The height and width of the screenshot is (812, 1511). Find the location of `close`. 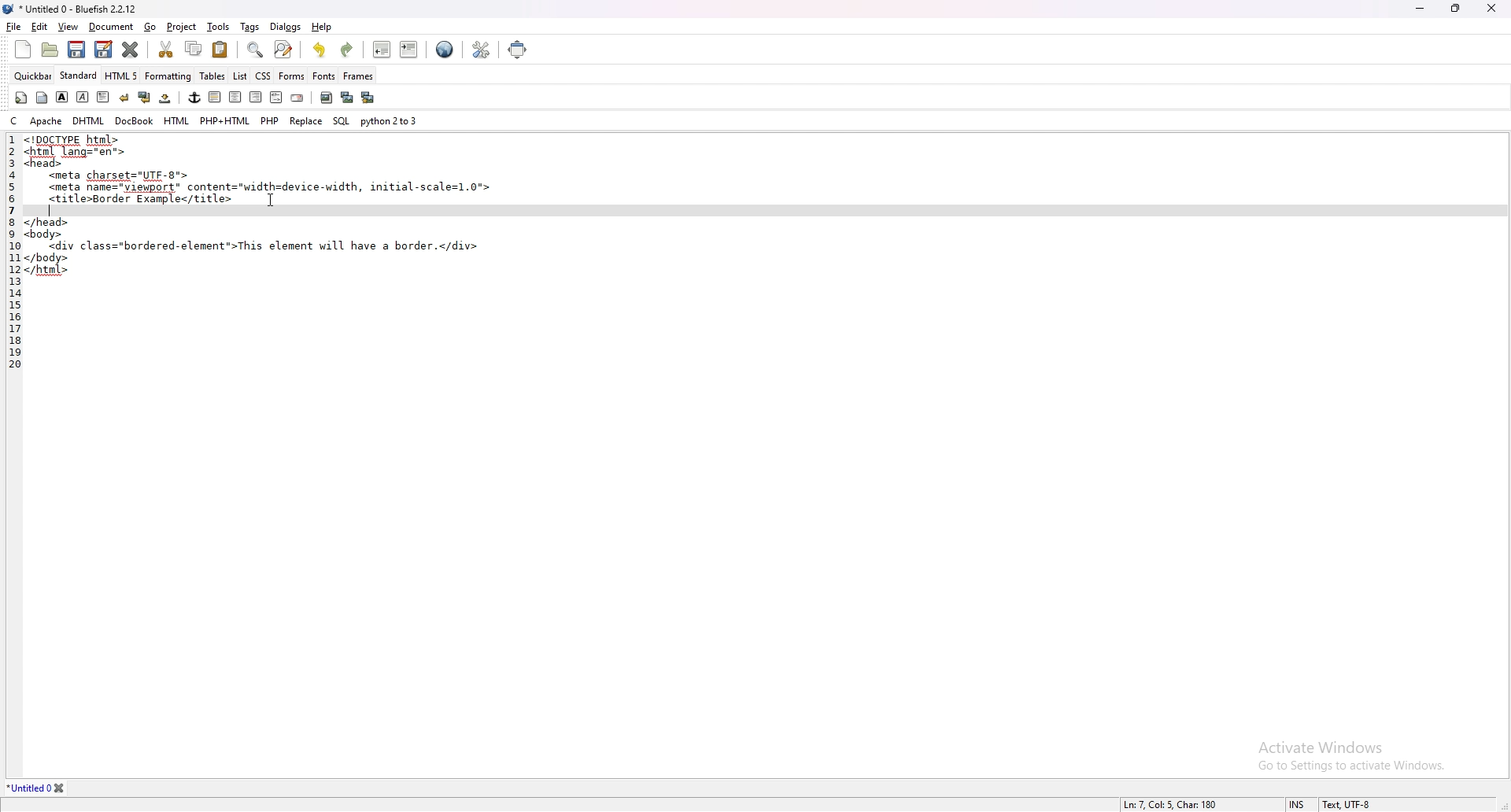

close is located at coordinates (1491, 7).